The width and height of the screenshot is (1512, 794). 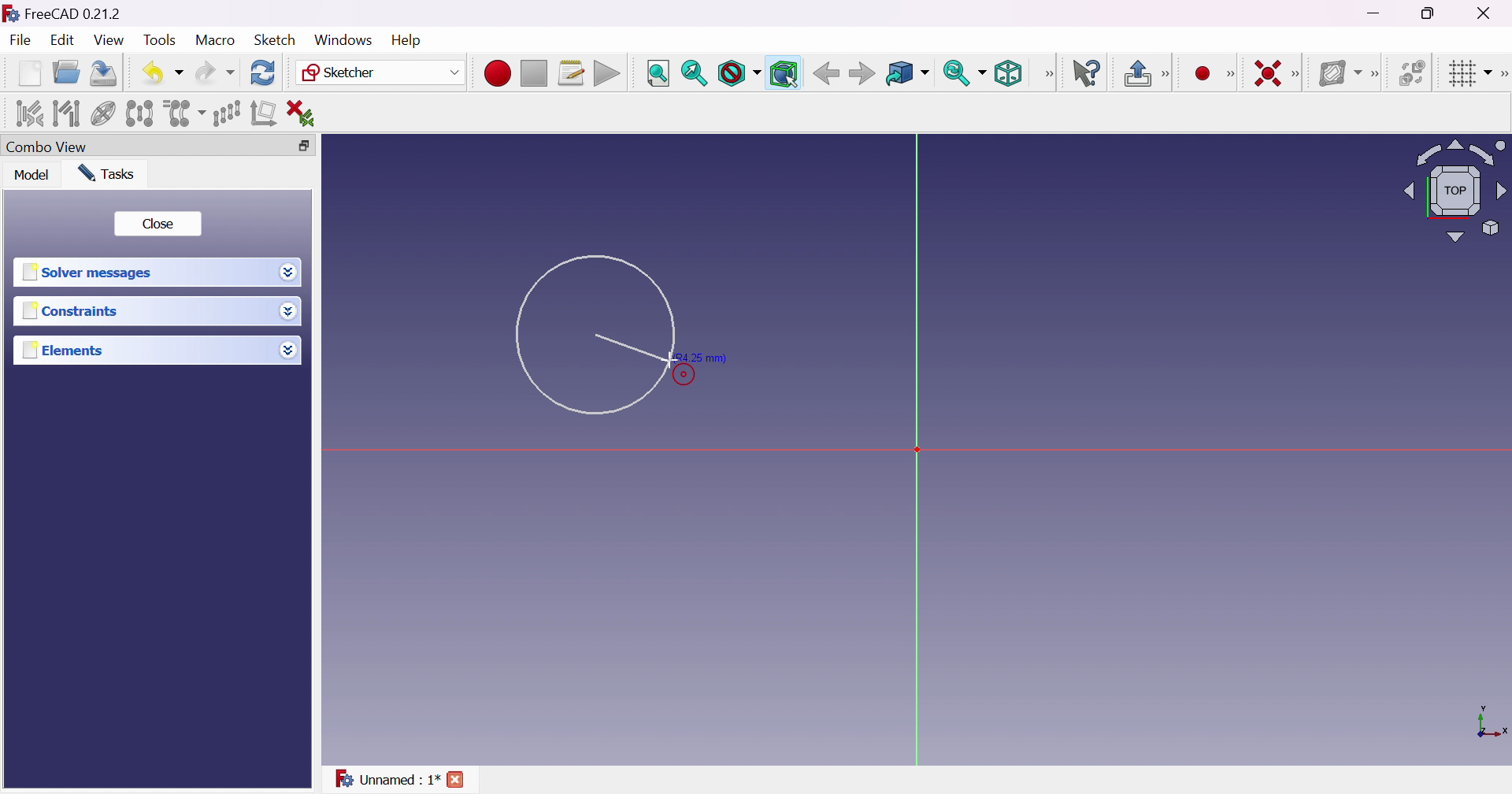 I want to click on What's this?, so click(x=1088, y=73).